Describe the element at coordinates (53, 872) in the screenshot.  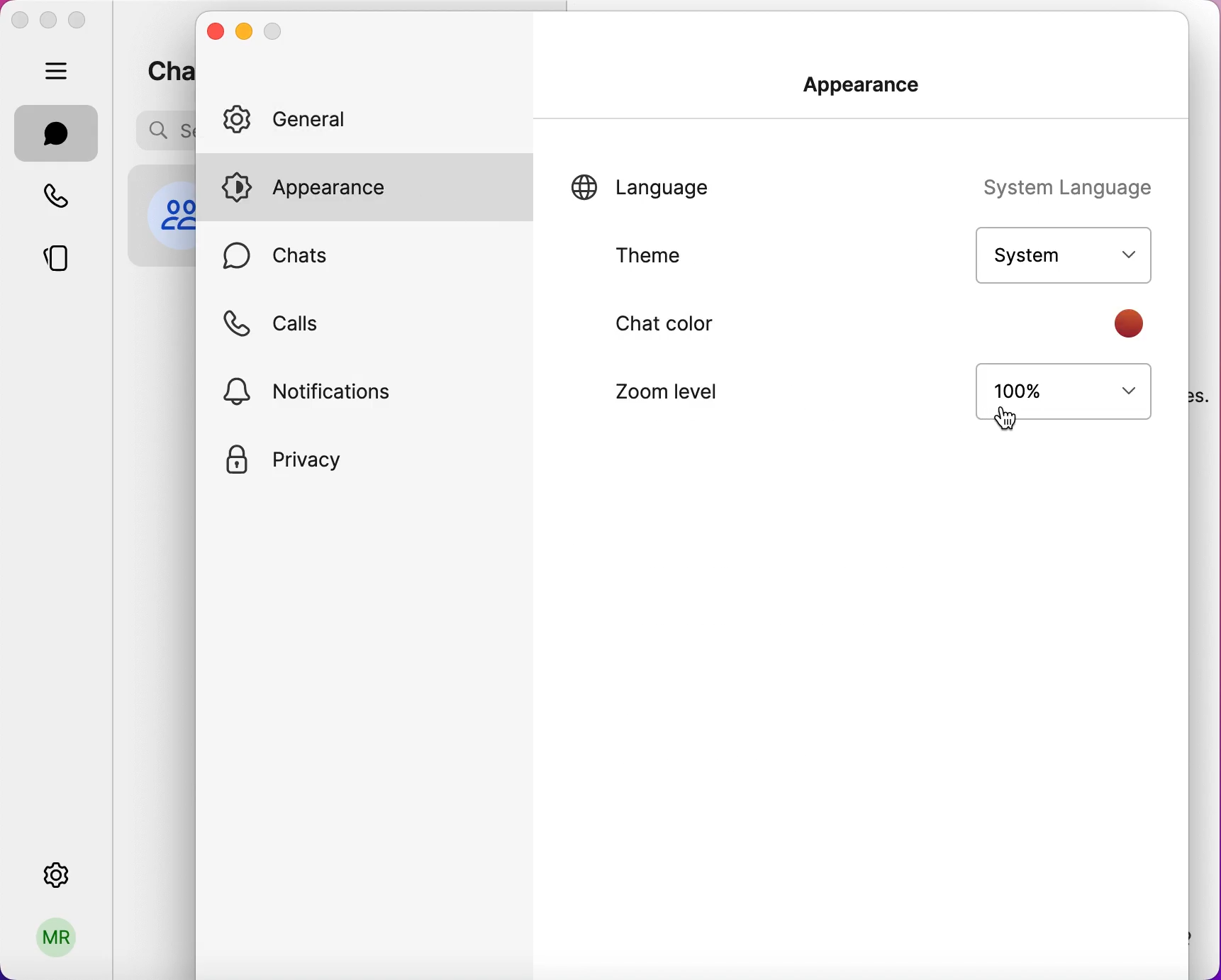
I see `settings` at that location.